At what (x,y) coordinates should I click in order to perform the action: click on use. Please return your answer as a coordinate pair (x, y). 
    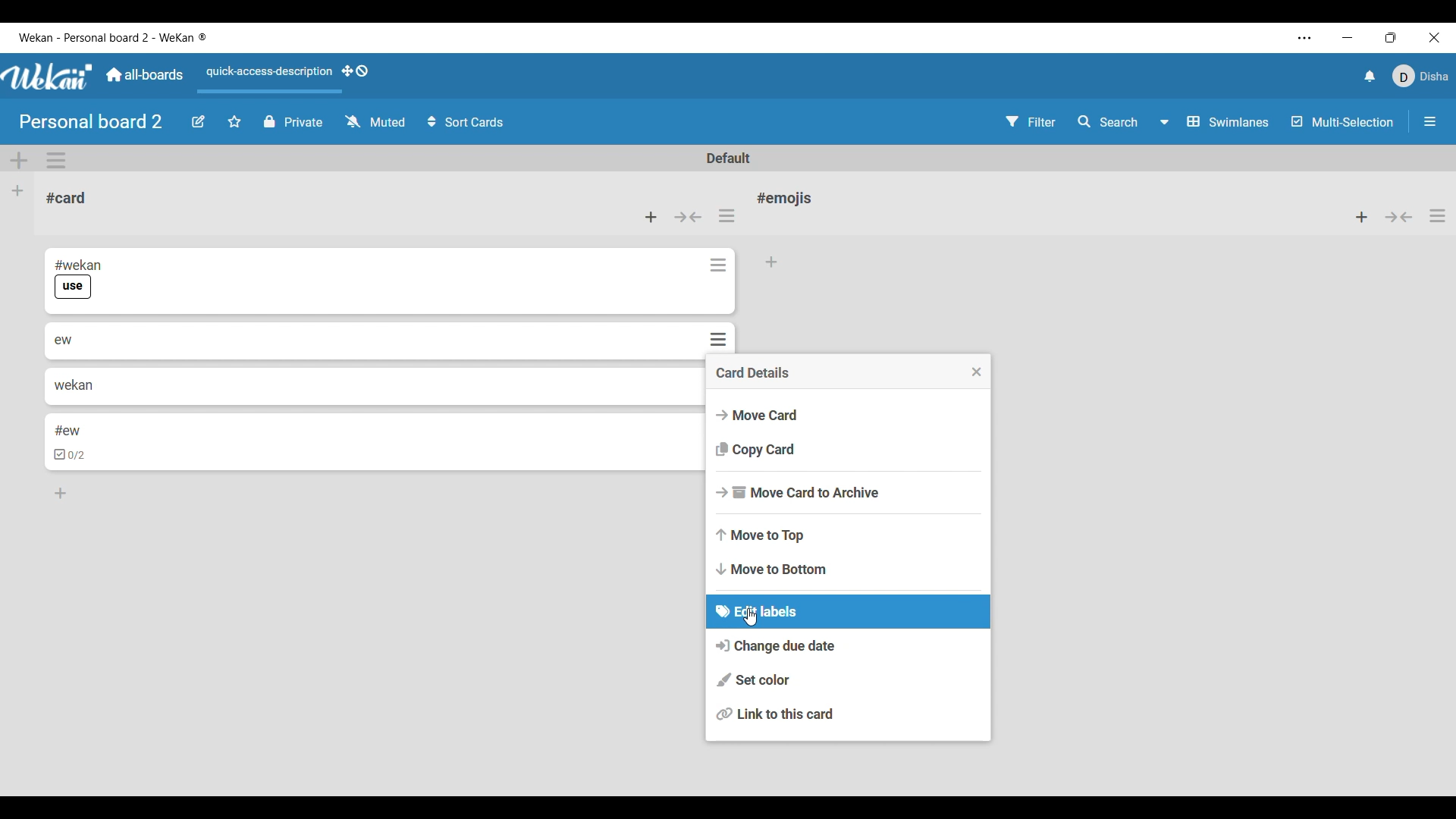
    Looking at the image, I should click on (73, 287).